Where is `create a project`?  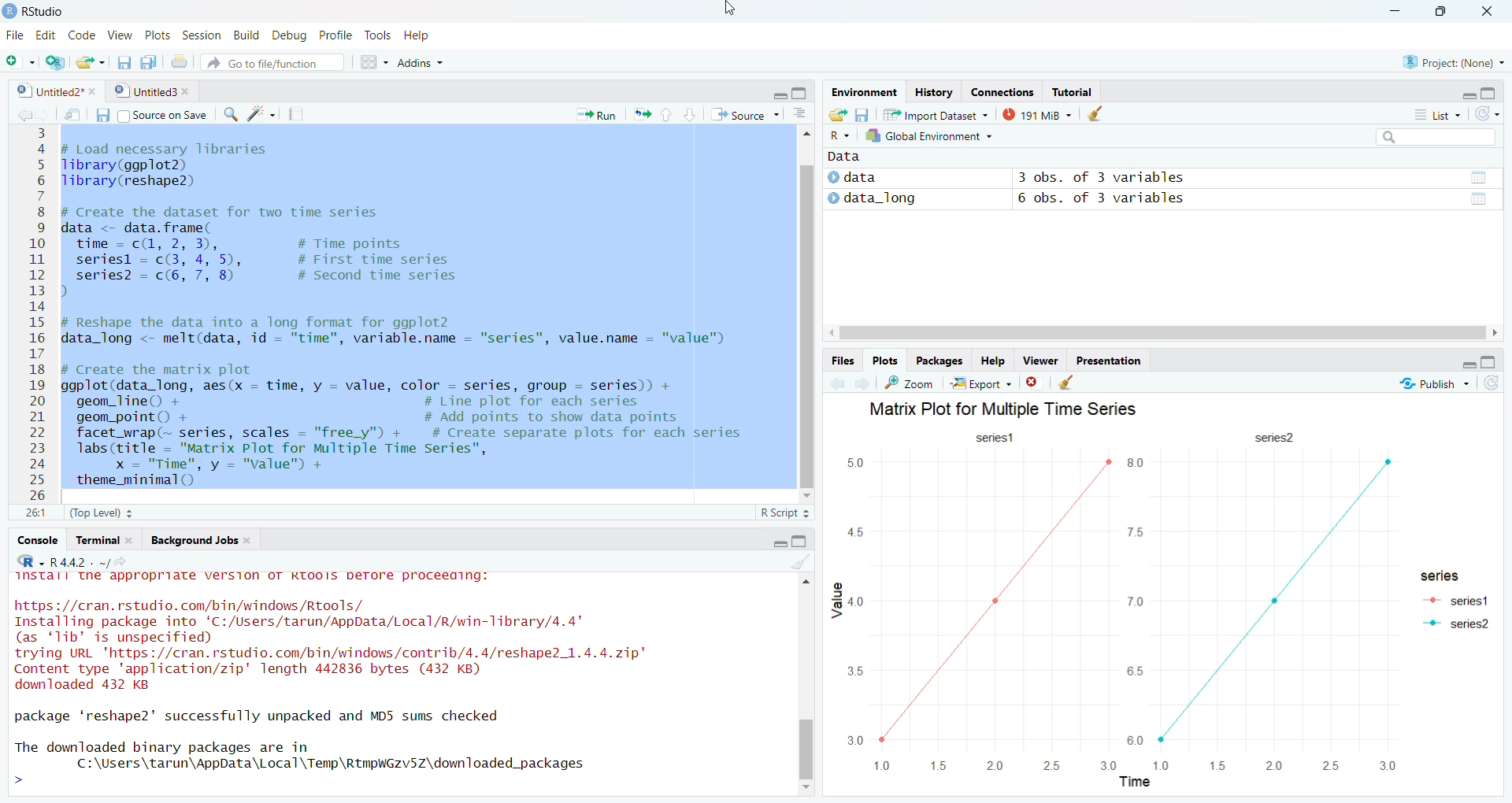
create a project is located at coordinates (54, 61).